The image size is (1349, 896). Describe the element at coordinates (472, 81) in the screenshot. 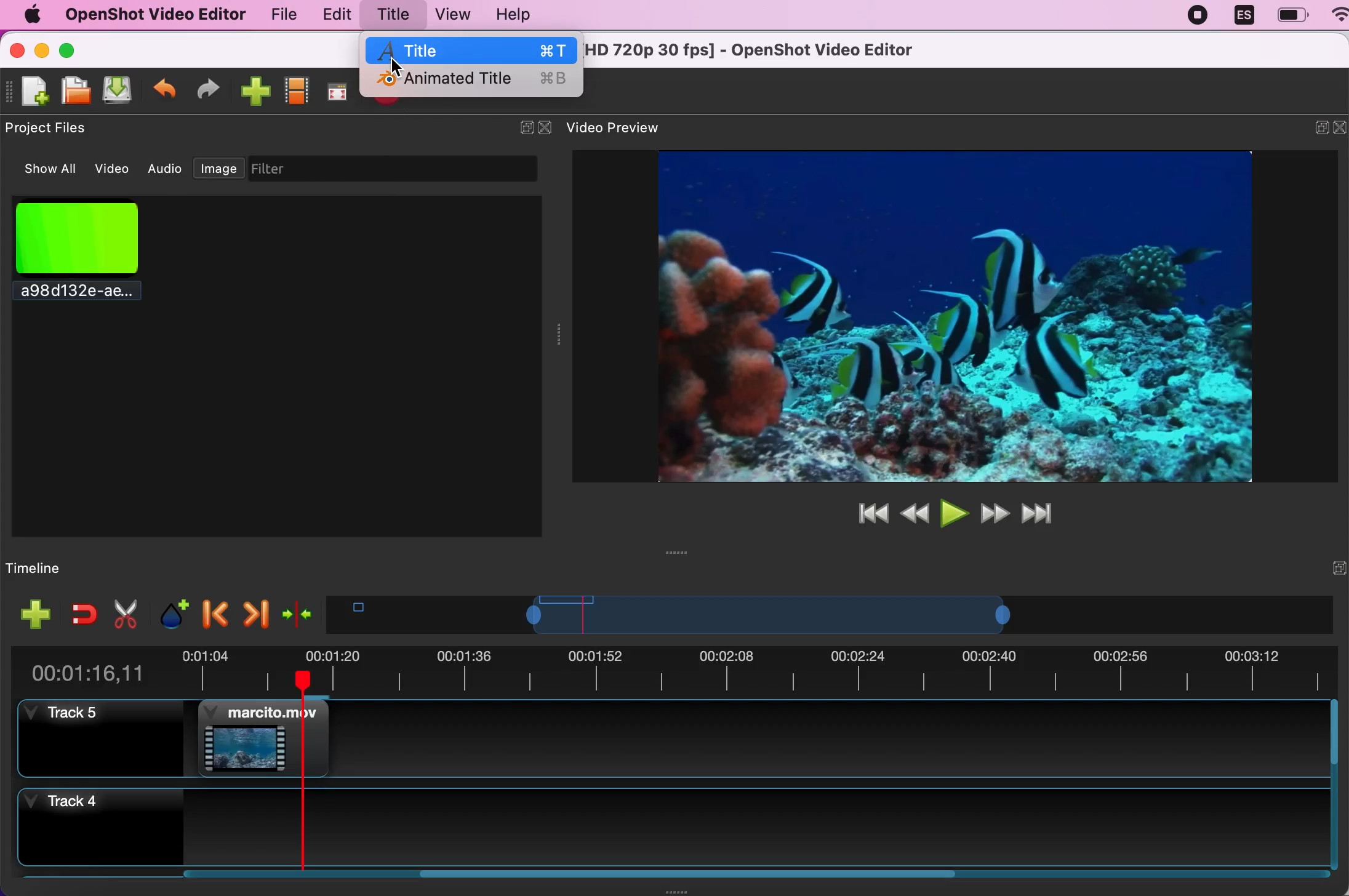

I see `animated title` at that location.